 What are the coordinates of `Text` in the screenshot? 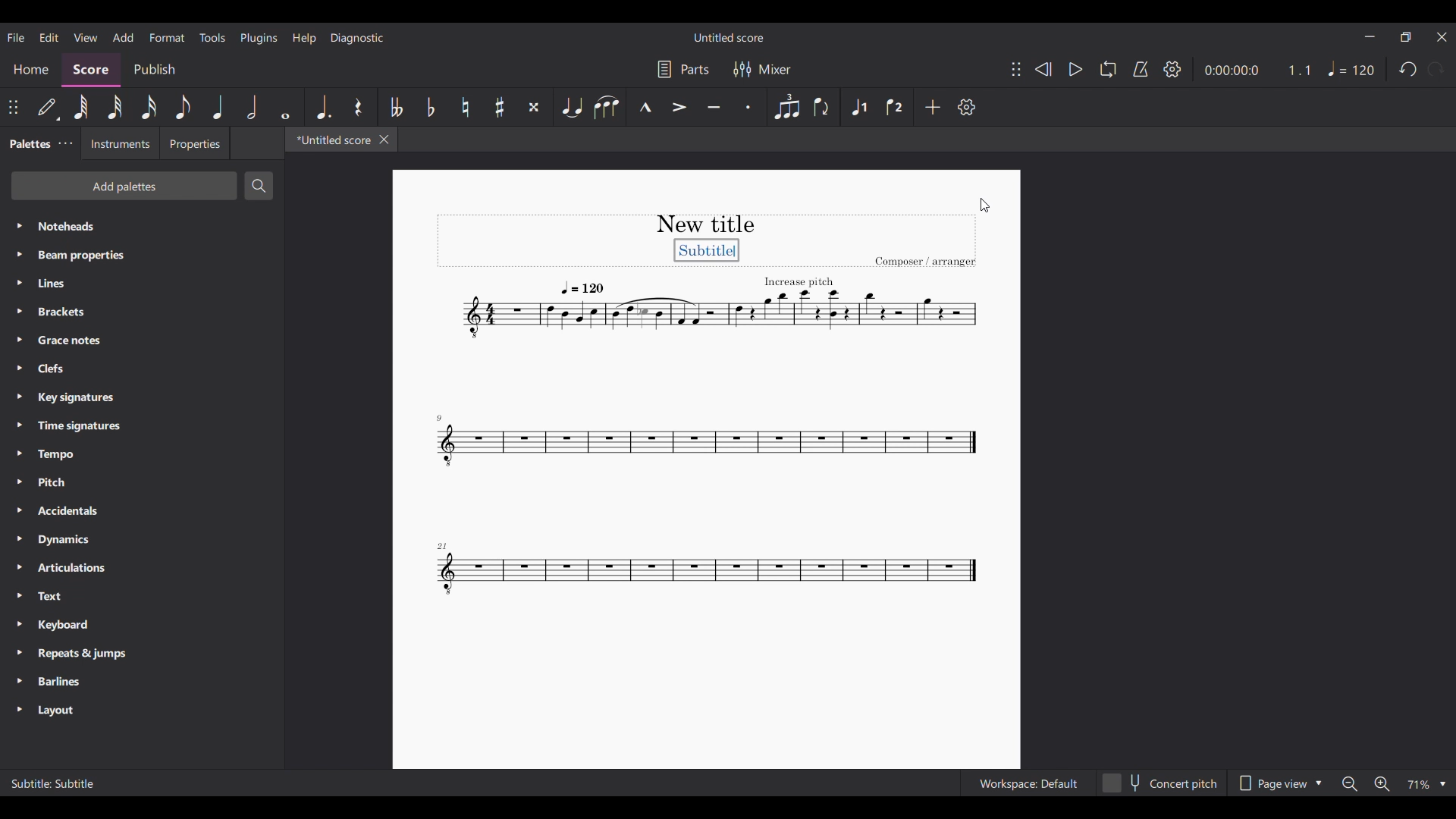 It's located at (142, 597).